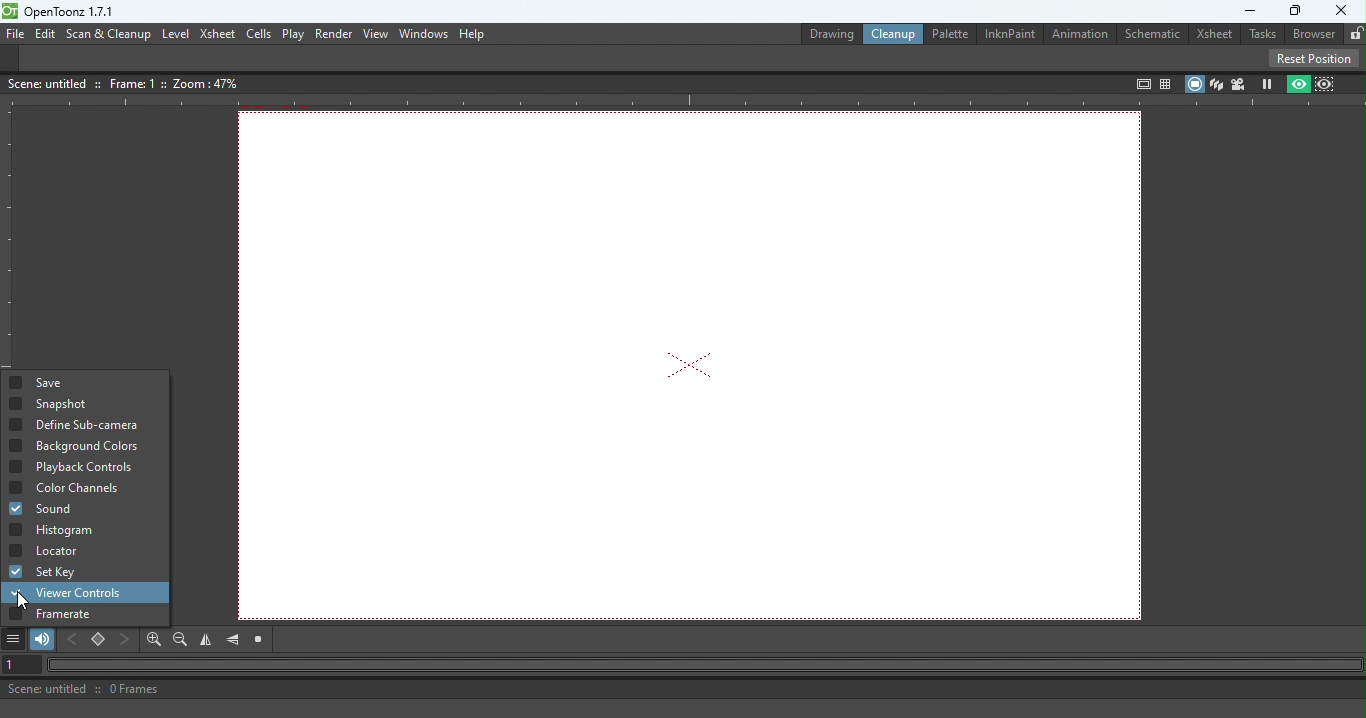 The height and width of the screenshot is (718, 1366). What do you see at coordinates (948, 33) in the screenshot?
I see `Palette` at bounding box center [948, 33].